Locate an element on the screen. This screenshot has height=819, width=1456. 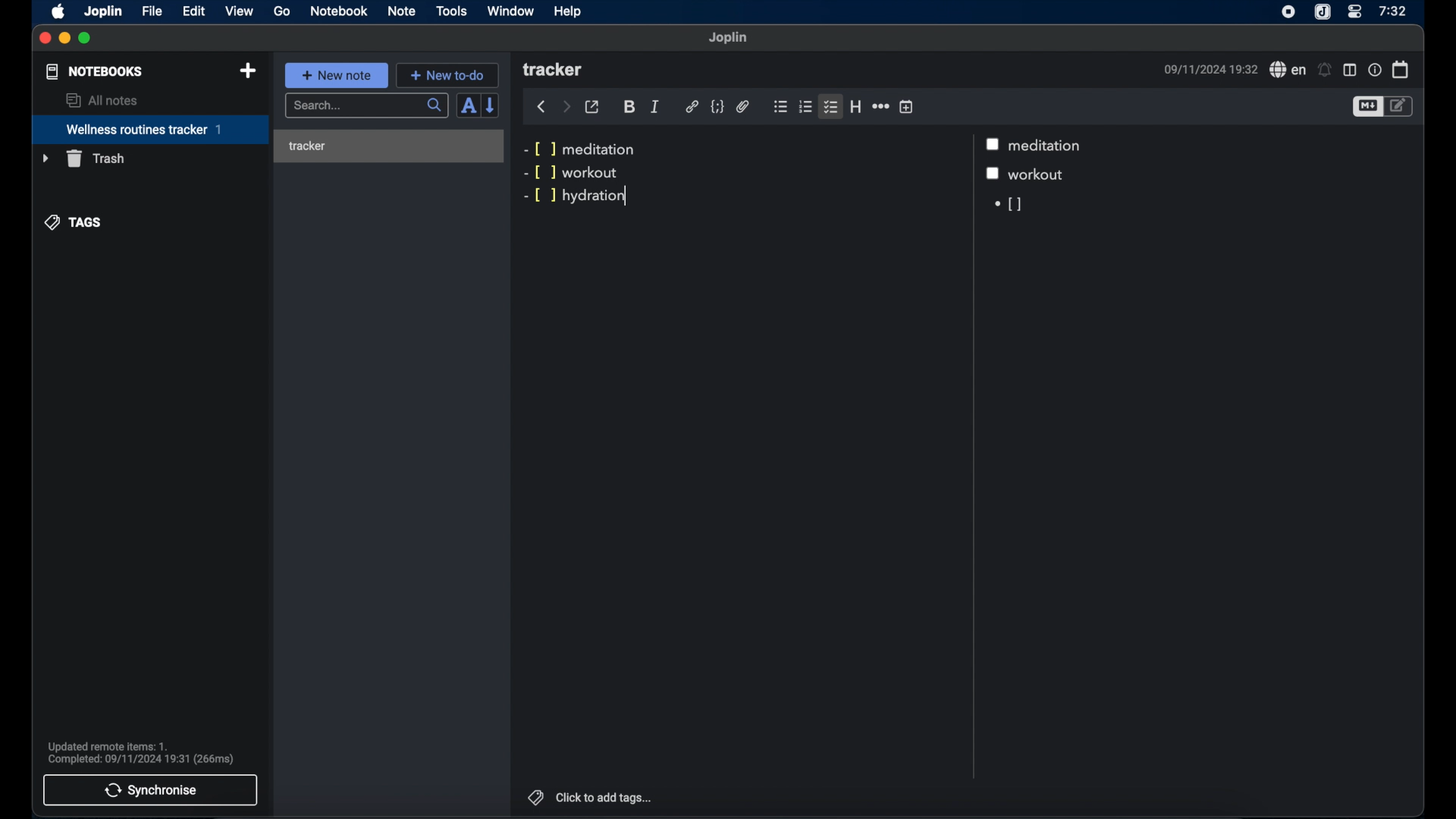
synchronise is located at coordinates (151, 790).